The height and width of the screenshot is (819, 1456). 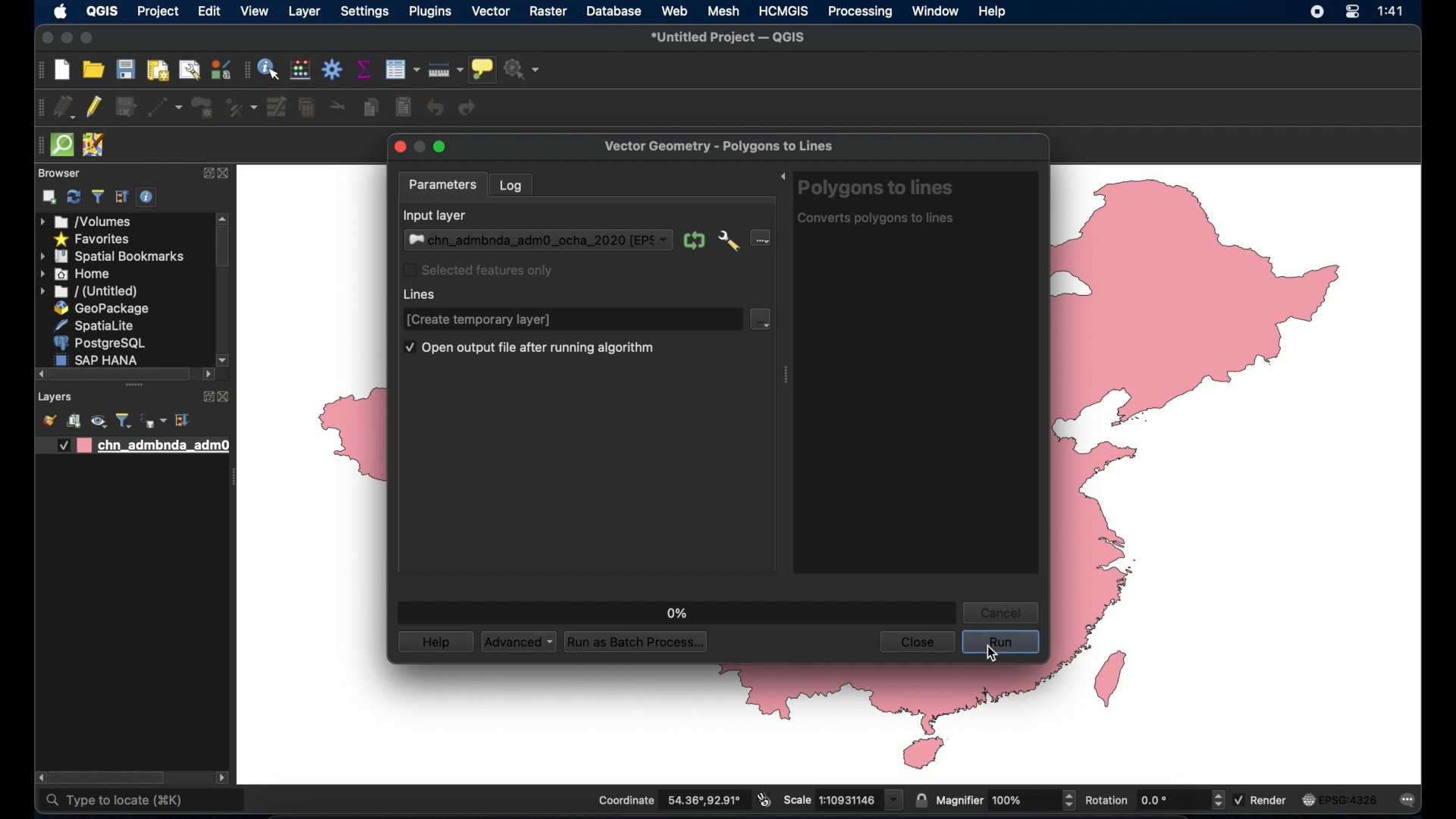 What do you see at coordinates (398, 147) in the screenshot?
I see `close` at bounding box center [398, 147].